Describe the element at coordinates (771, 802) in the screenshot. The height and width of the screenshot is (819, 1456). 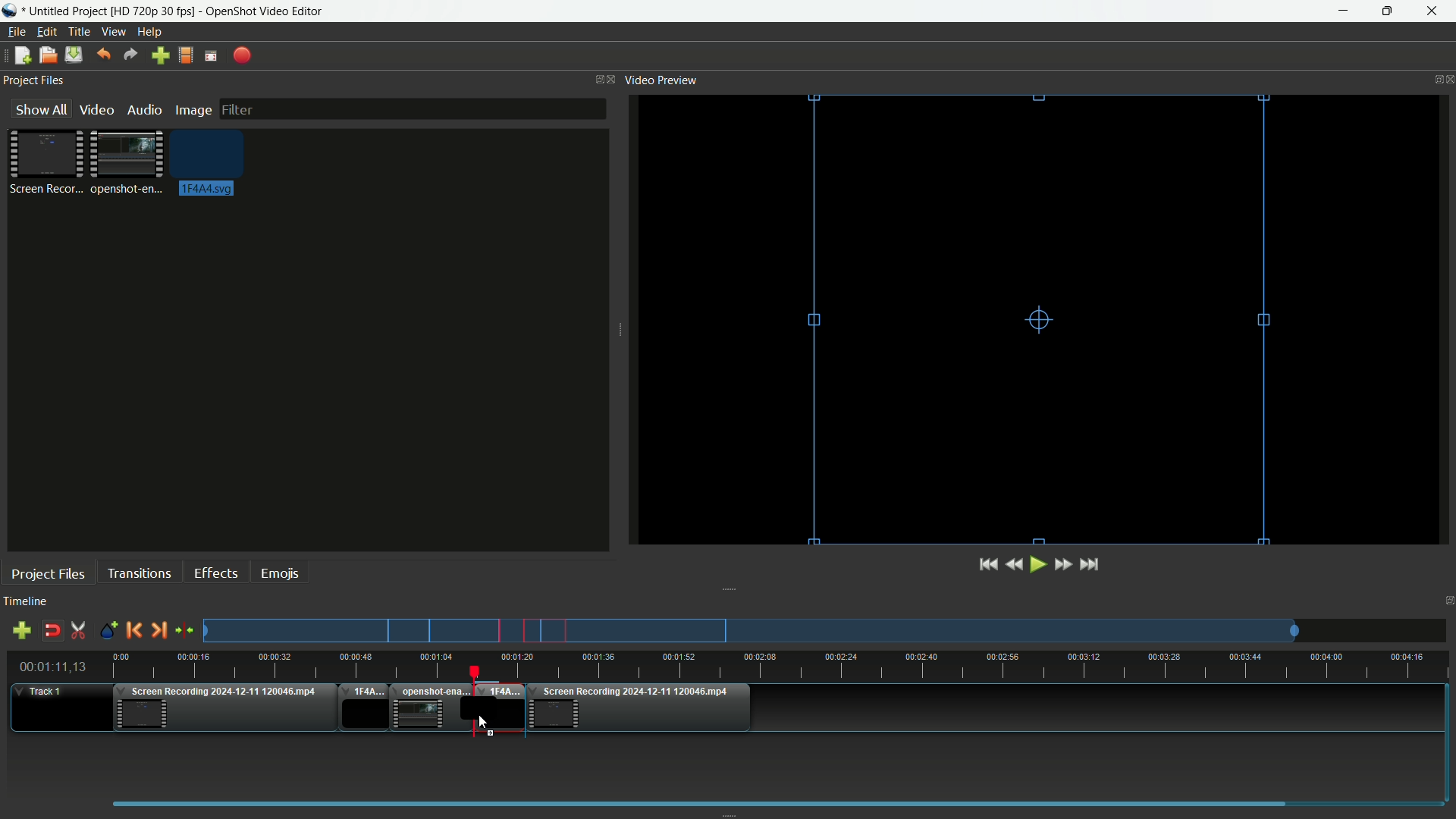
I see `scrollbar ` at that location.